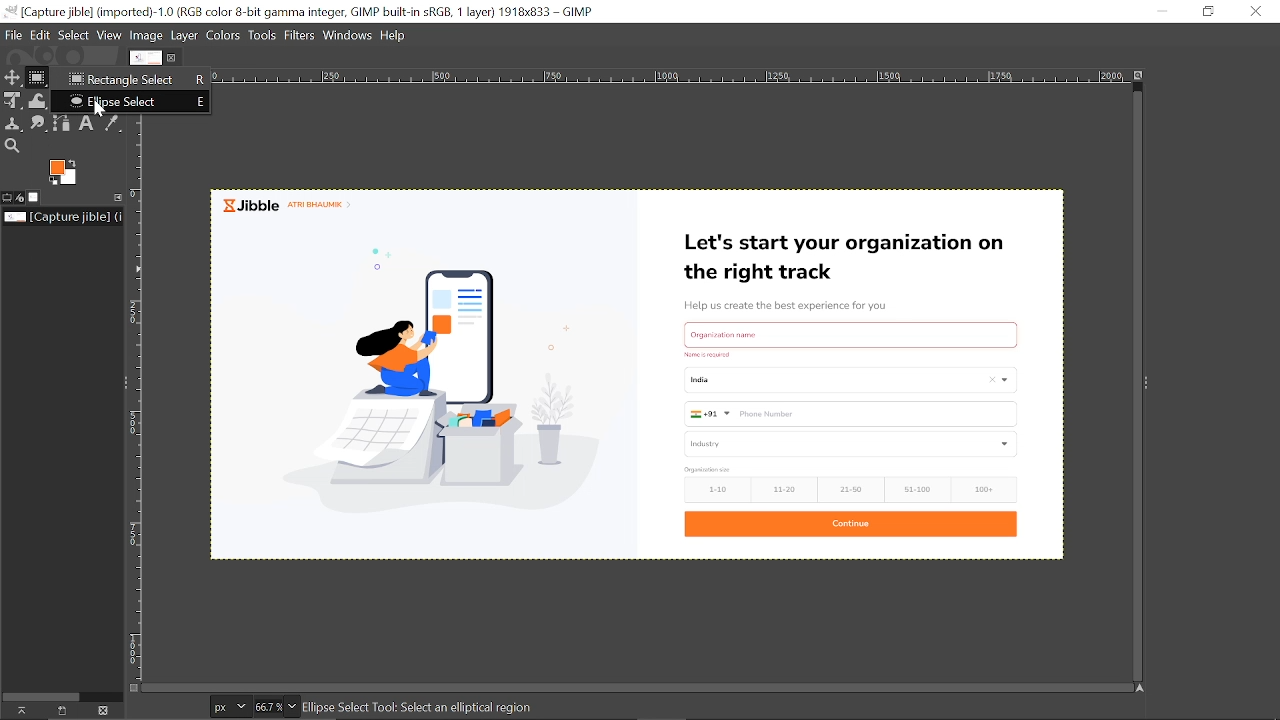 This screenshot has height=720, width=1280. What do you see at coordinates (1136, 76) in the screenshot?
I see `Zoom image when window size change` at bounding box center [1136, 76].